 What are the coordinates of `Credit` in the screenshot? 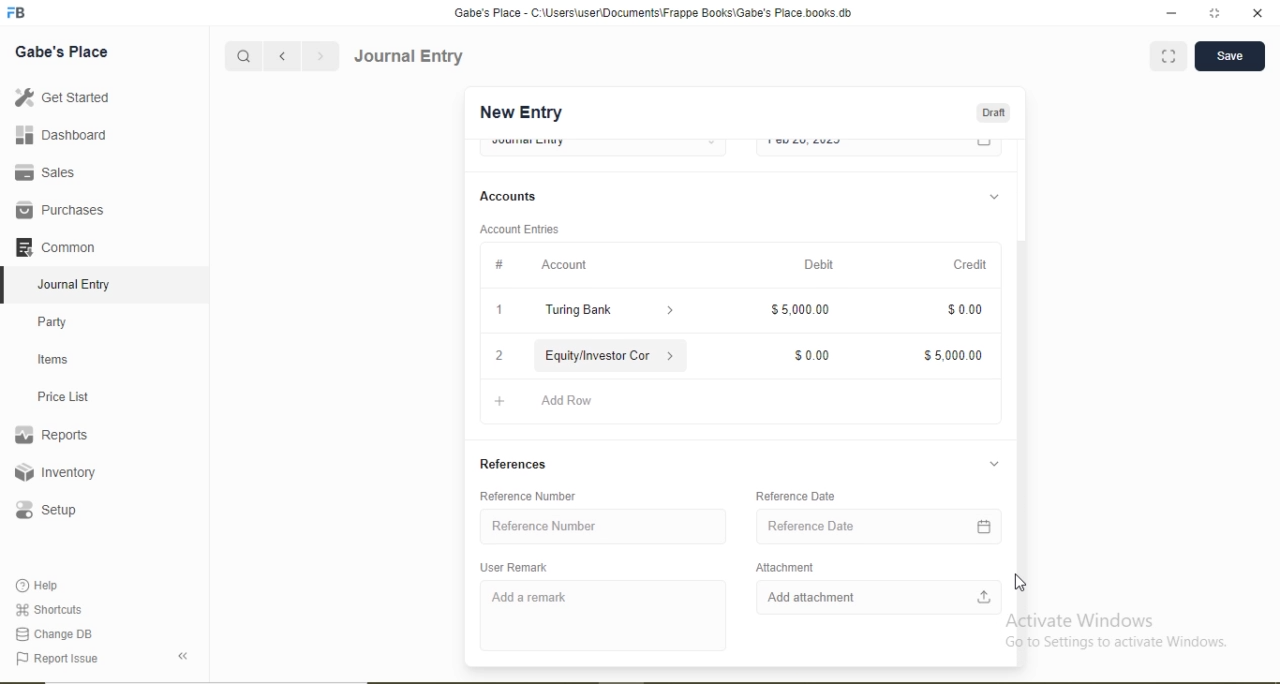 It's located at (971, 266).